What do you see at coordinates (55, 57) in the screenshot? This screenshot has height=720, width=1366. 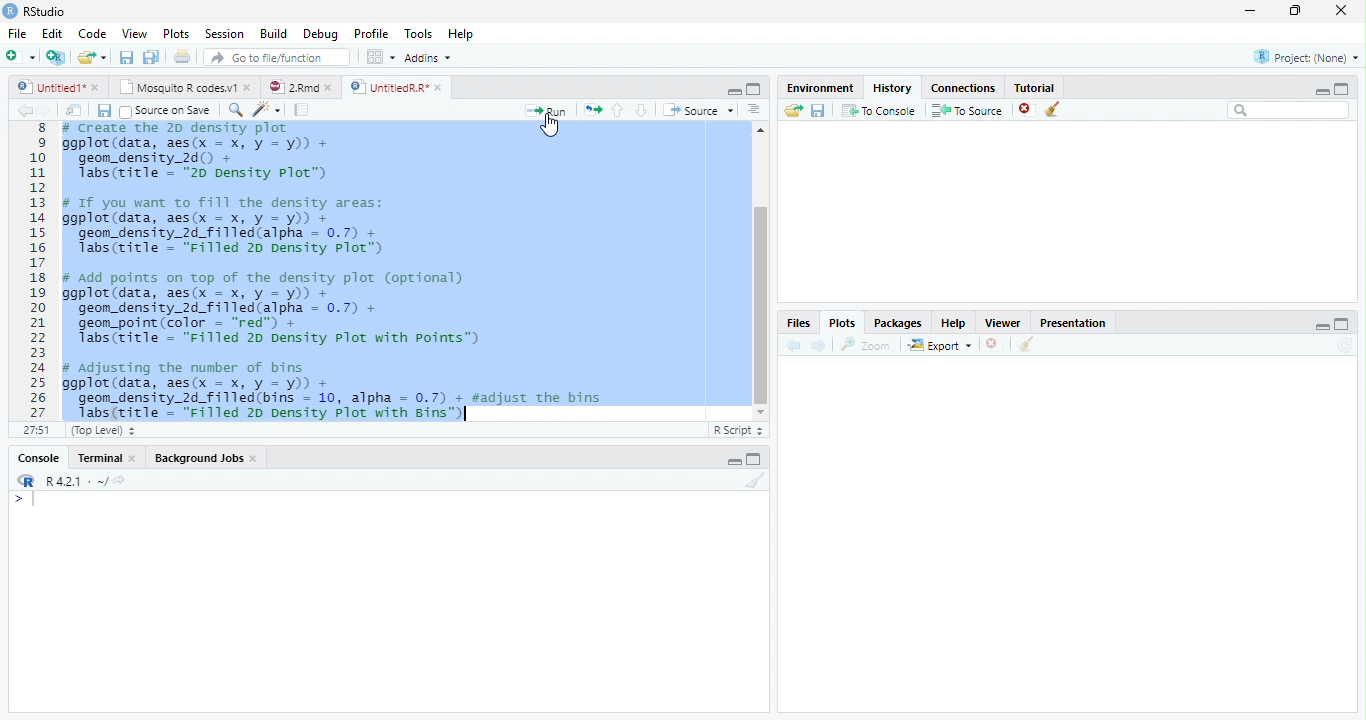 I see `Create a project` at bounding box center [55, 57].